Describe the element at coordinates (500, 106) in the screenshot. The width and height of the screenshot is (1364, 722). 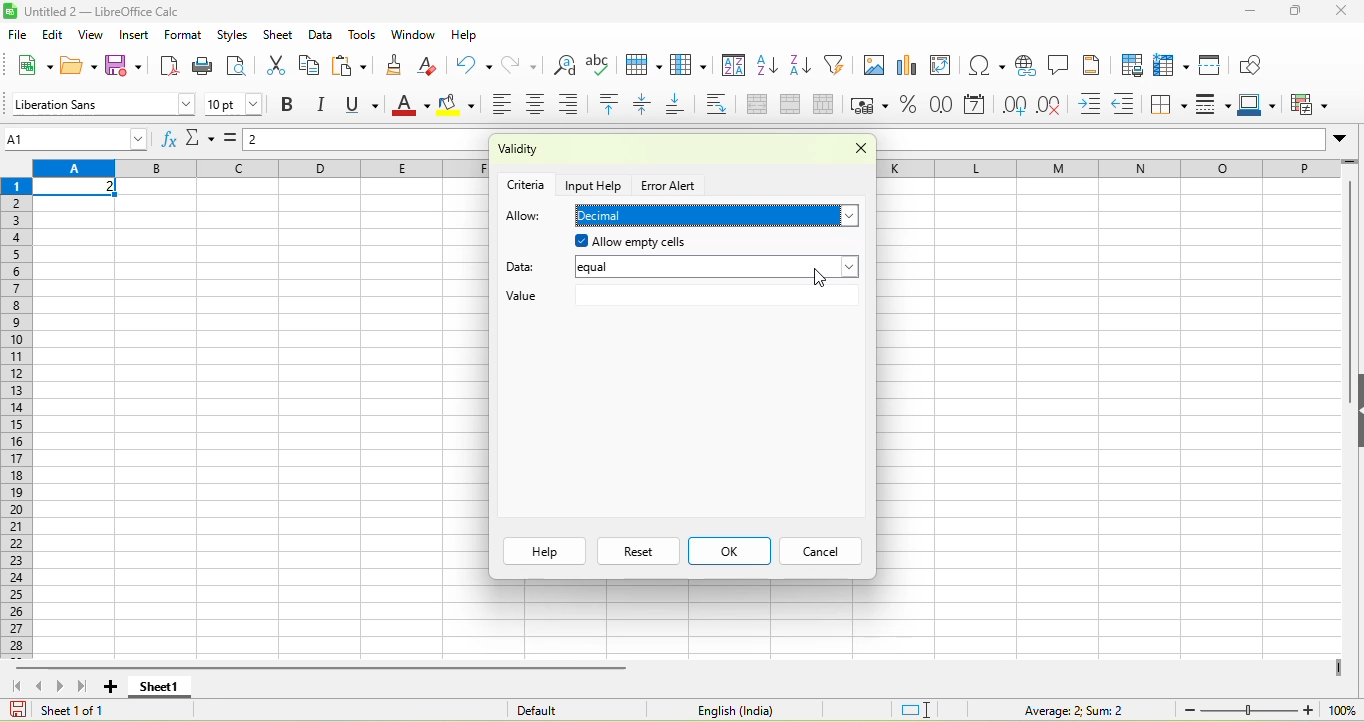
I see `align left` at that location.